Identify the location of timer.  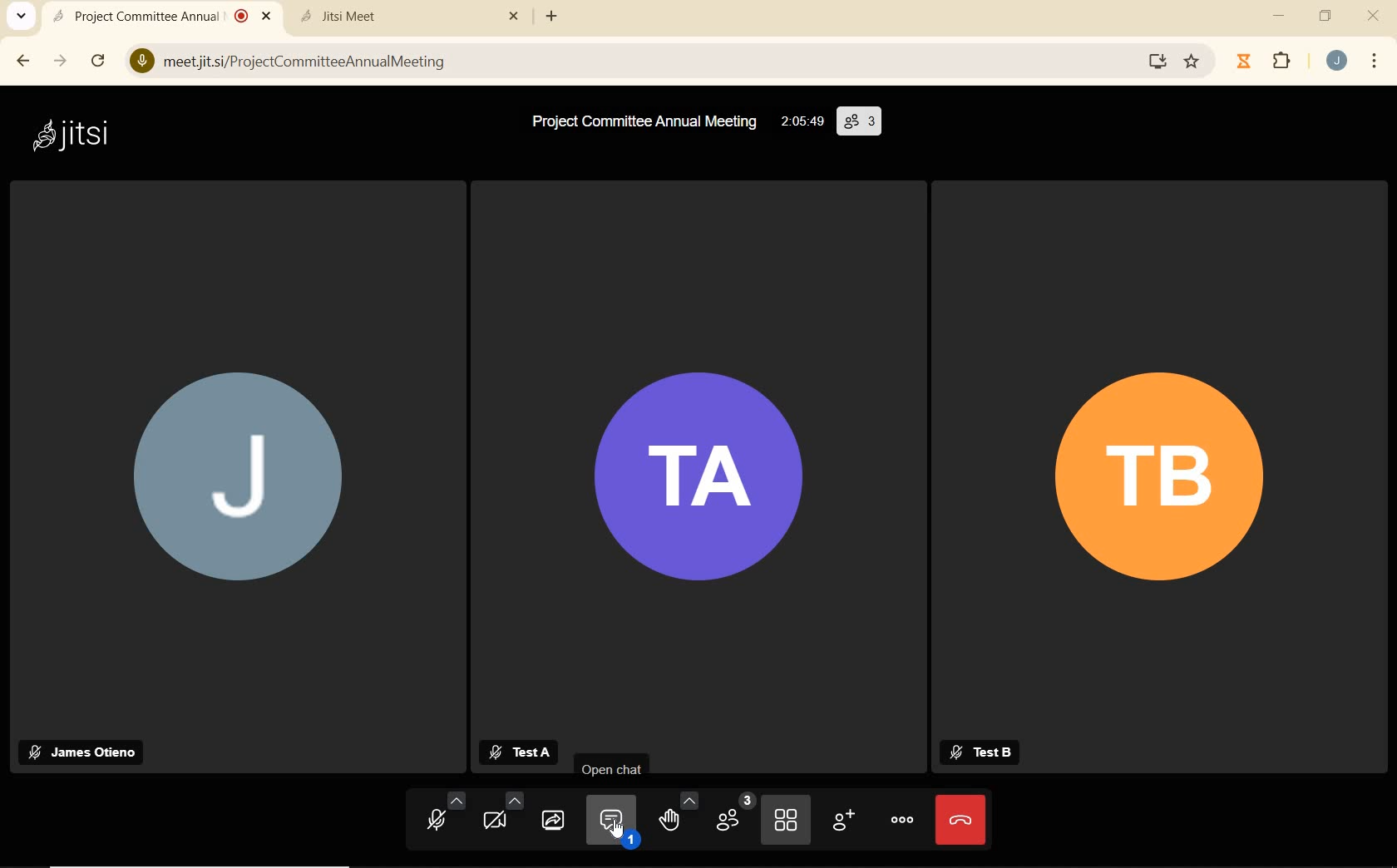
(800, 122).